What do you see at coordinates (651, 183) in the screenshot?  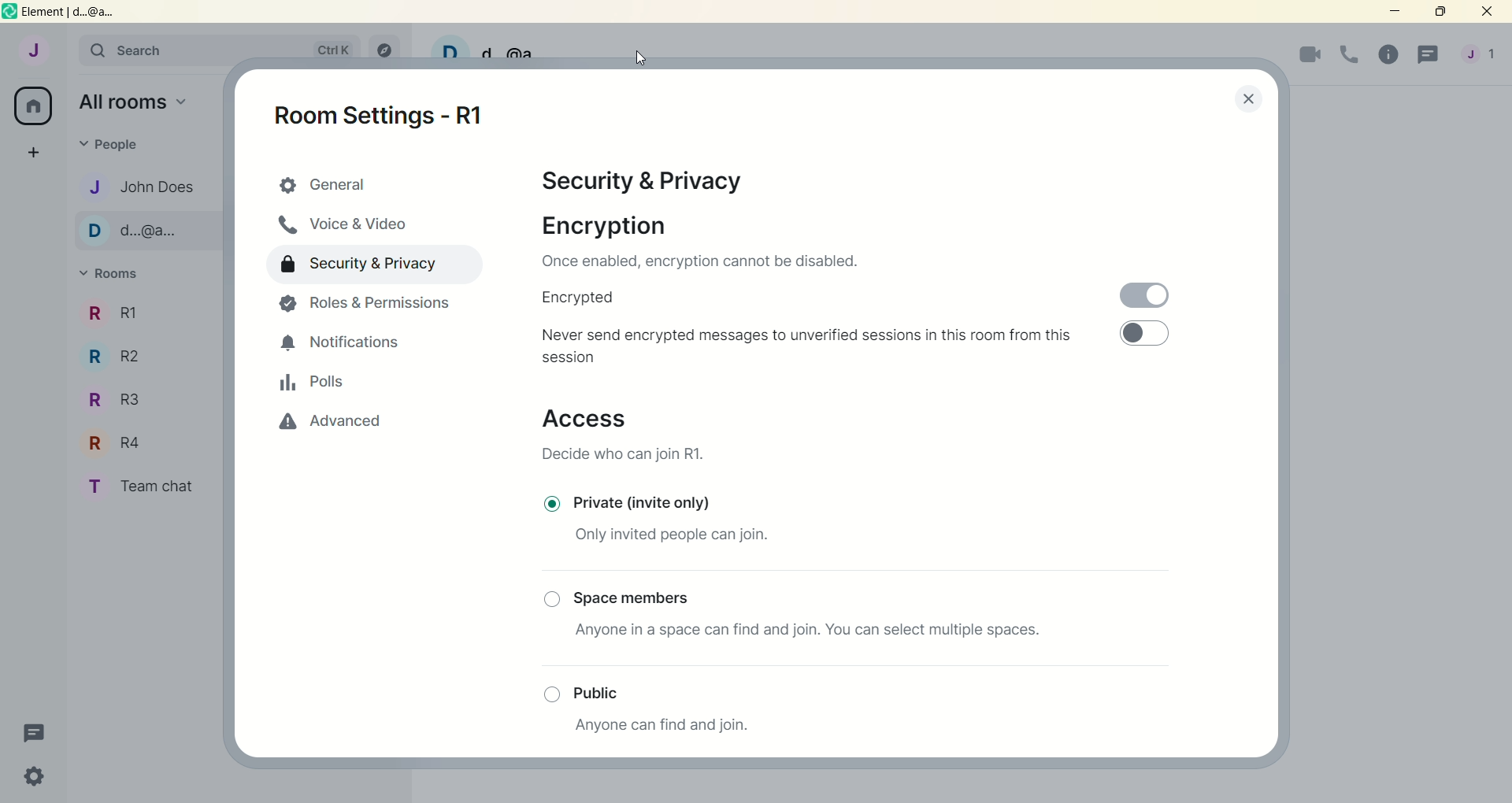 I see `security and privacy` at bounding box center [651, 183].